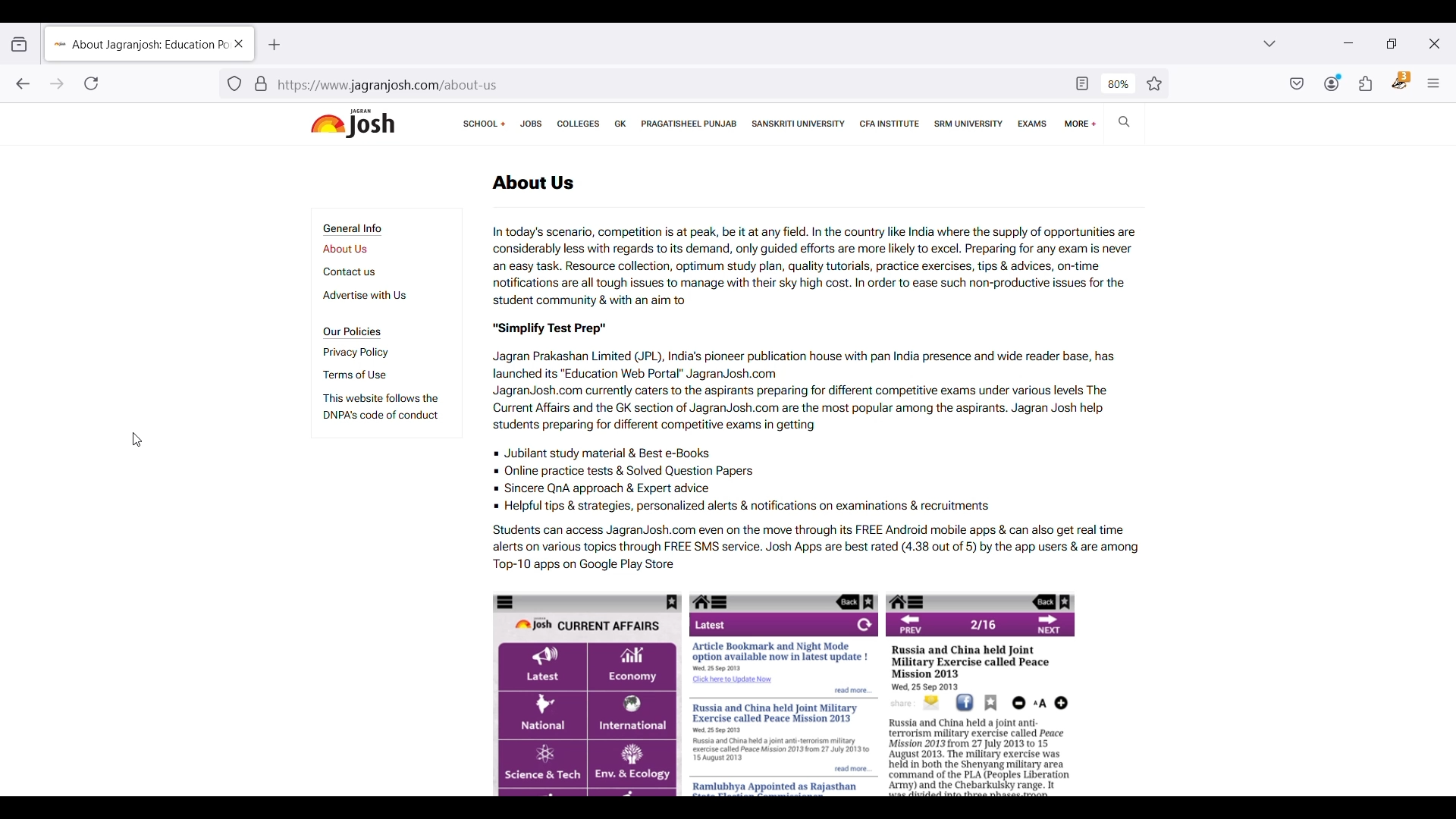 The height and width of the screenshot is (819, 1456). I want to click on Close interface, so click(1434, 43).